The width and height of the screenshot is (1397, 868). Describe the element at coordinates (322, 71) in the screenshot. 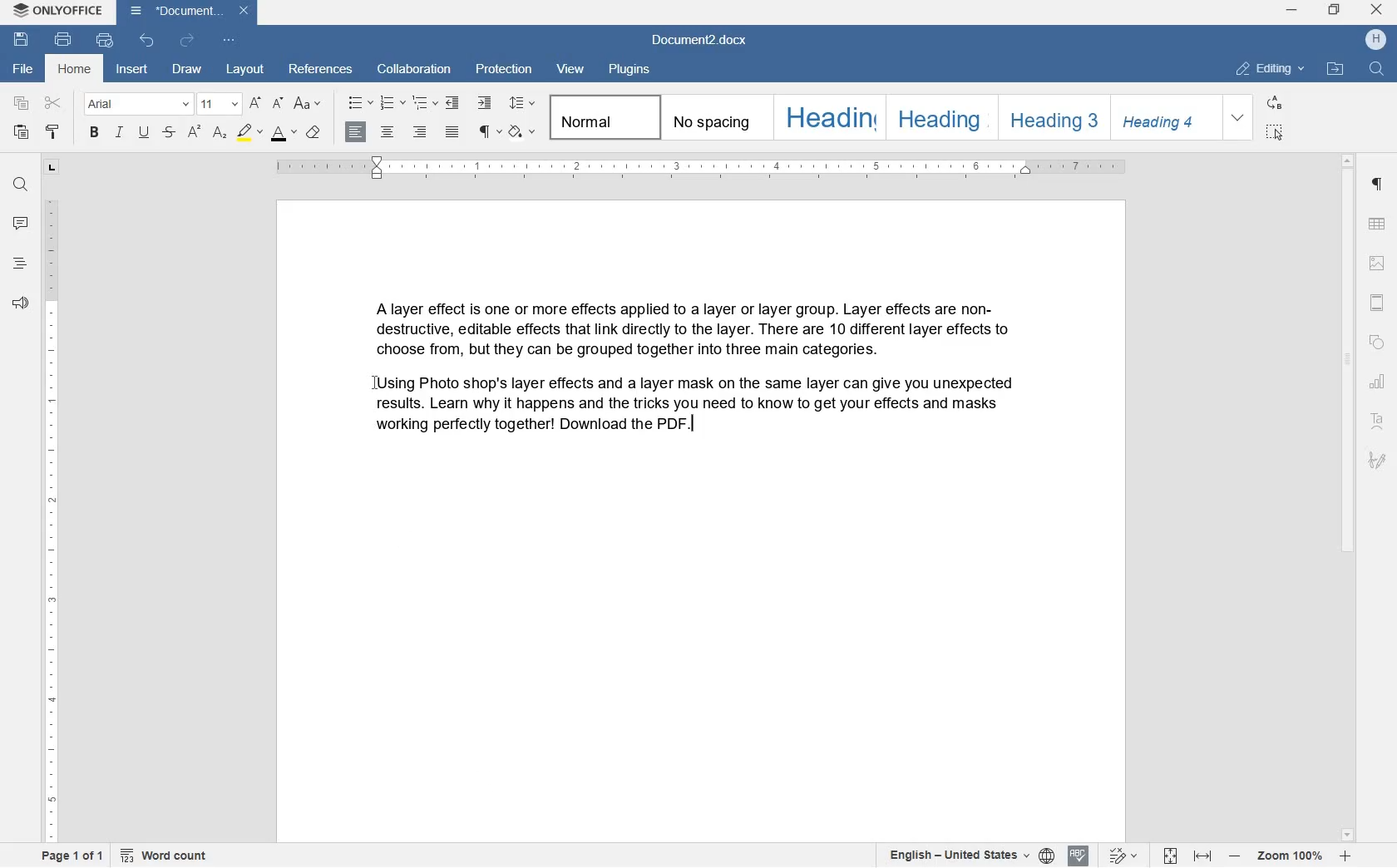

I see `REFERENCES` at that location.